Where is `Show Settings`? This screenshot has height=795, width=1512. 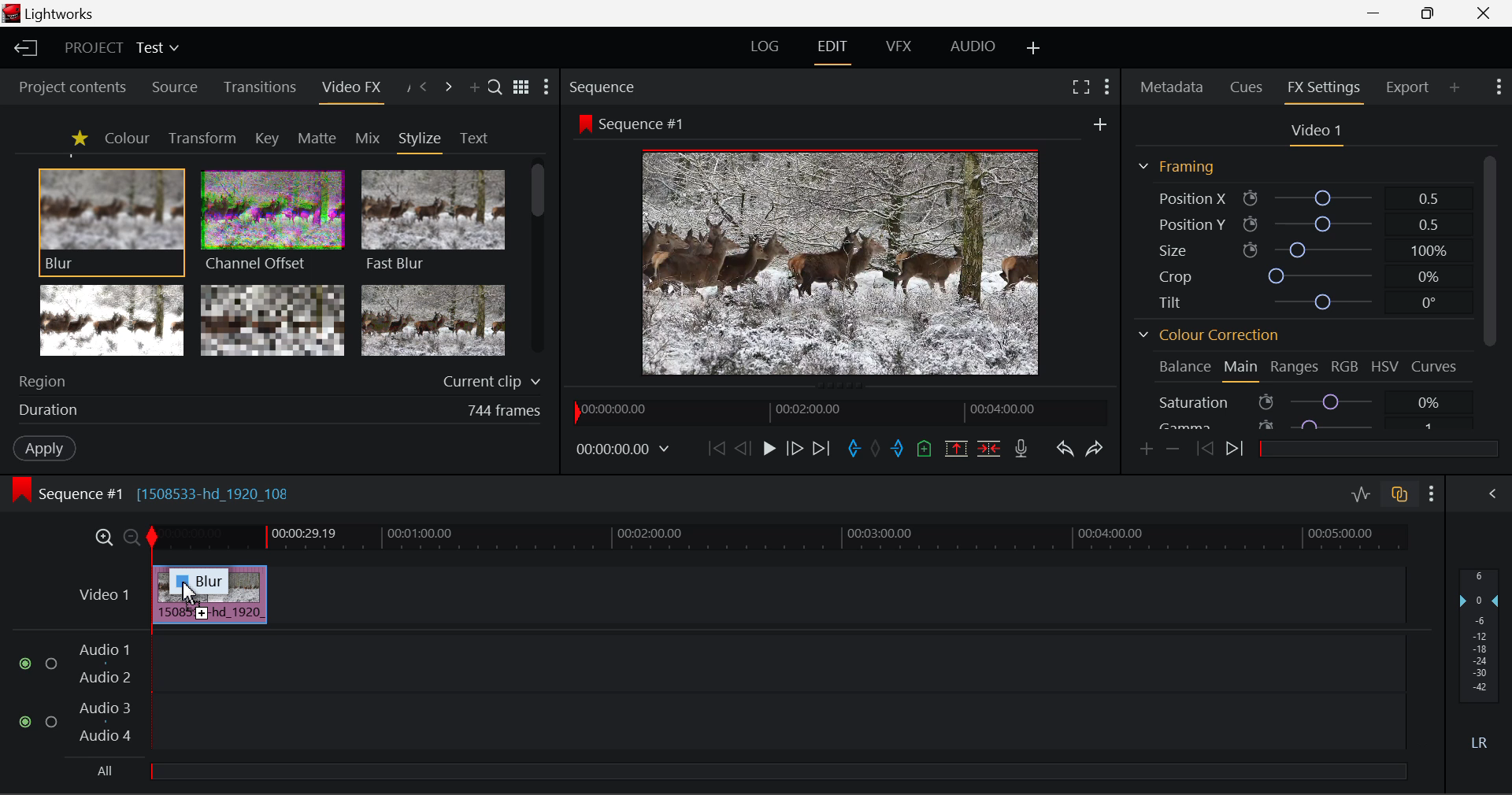 Show Settings is located at coordinates (1501, 89).